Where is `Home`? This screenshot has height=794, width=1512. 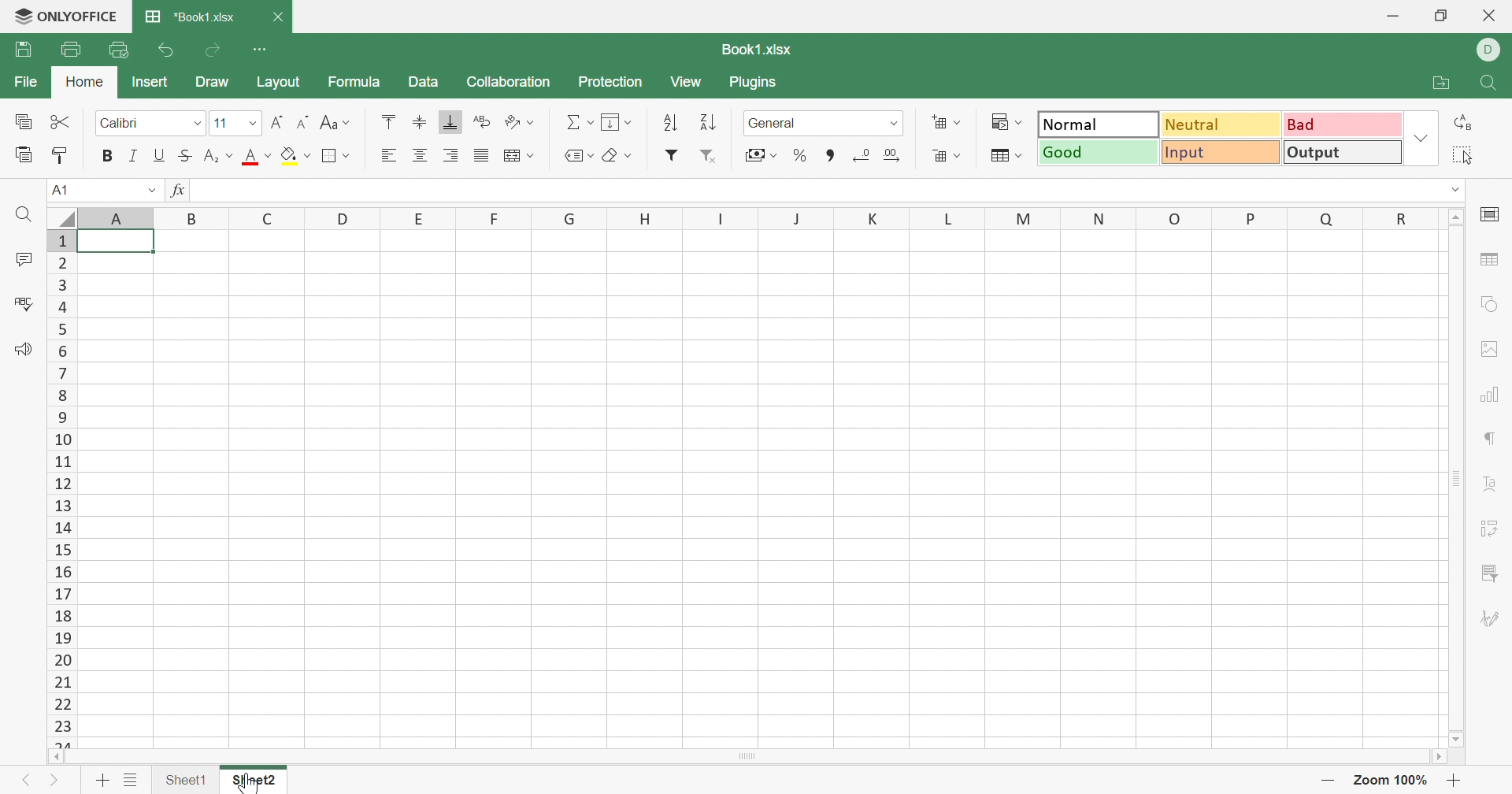
Home is located at coordinates (83, 78).